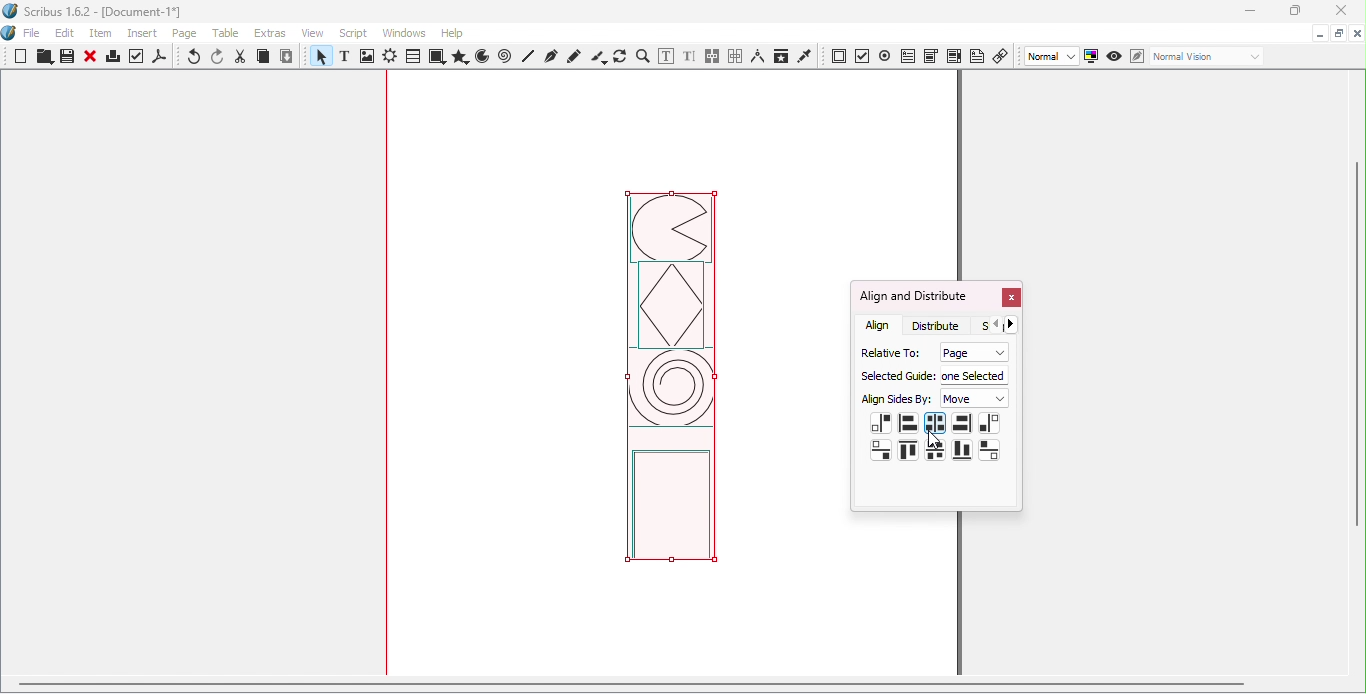 Image resolution: width=1366 pixels, height=694 pixels. Describe the element at coordinates (507, 57) in the screenshot. I see `Spiral` at that location.